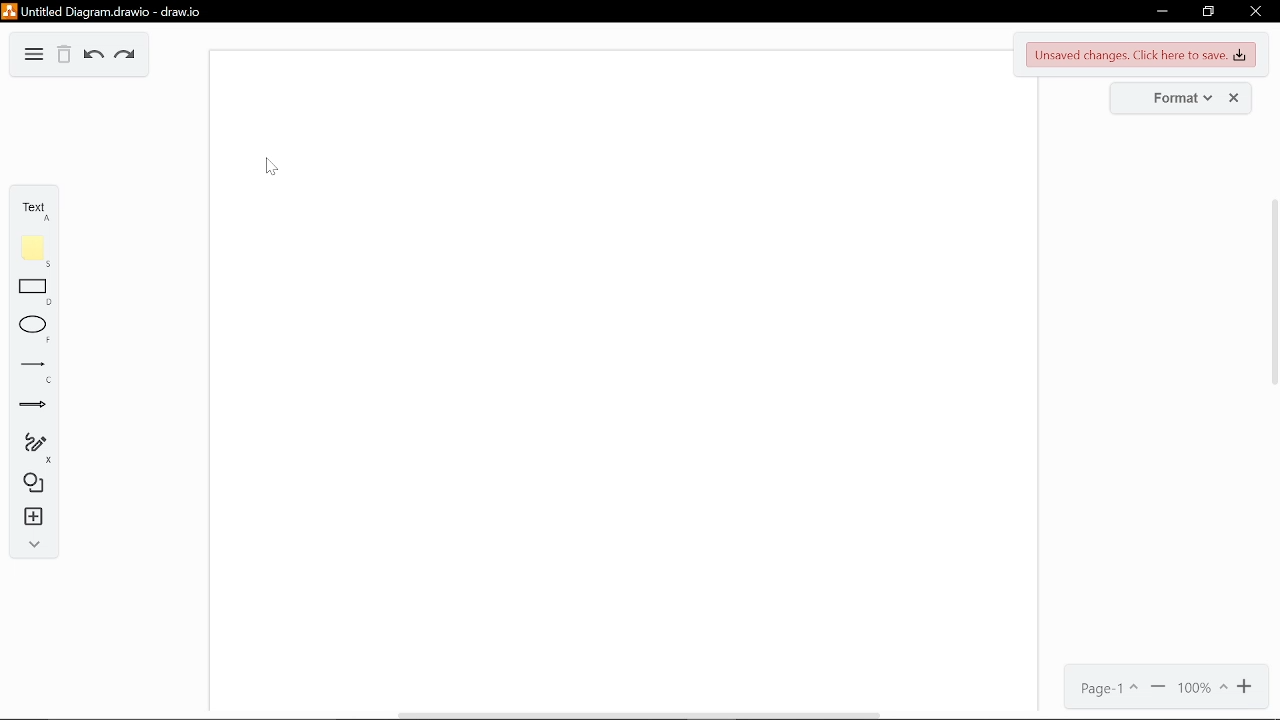 This screenshot has width=1280, height=720. Describe the element at coordinates (27, 543) in the screenshot. I see `collapse` at that location.